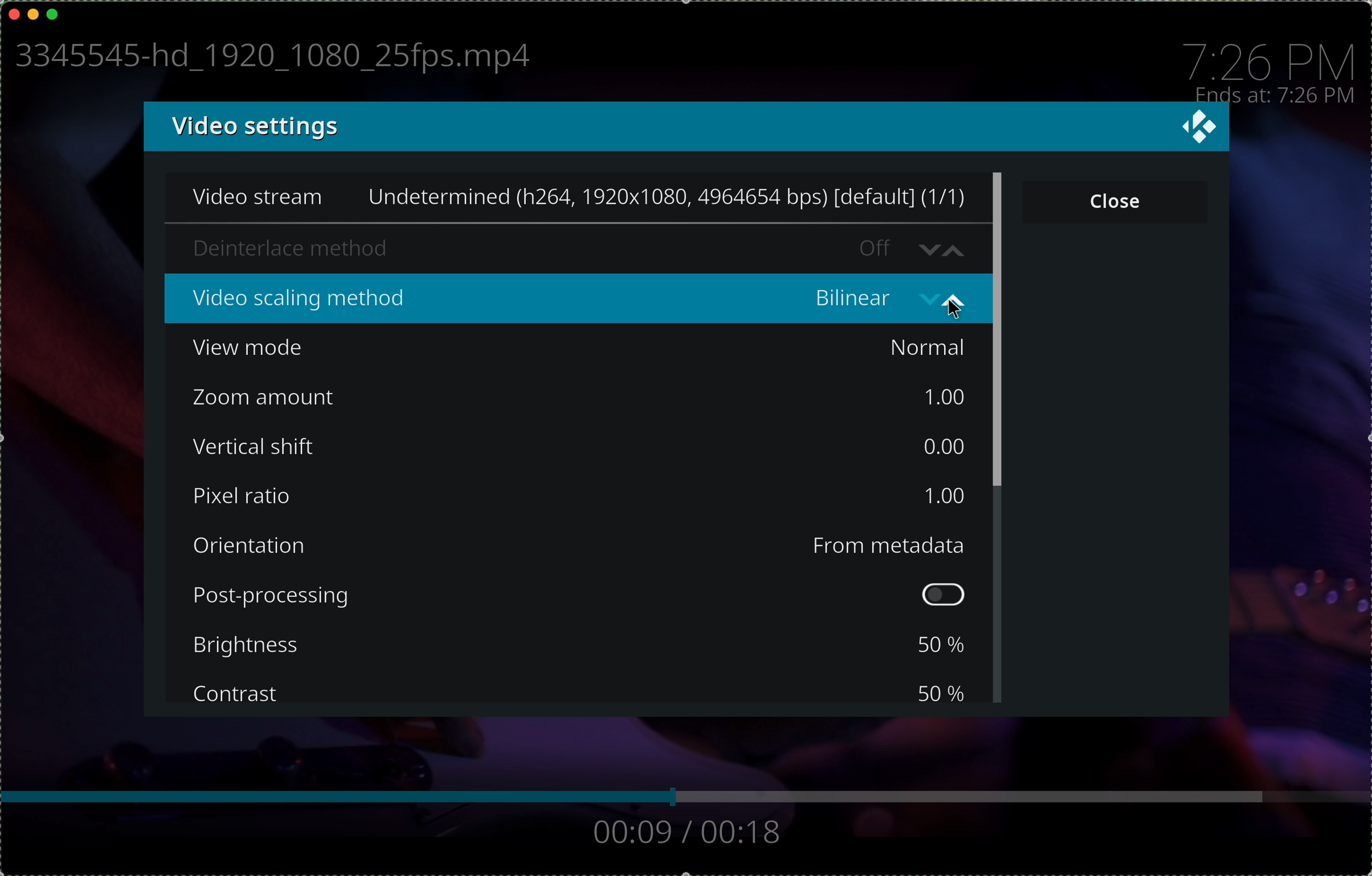  What do you see at coordinates (253, 546) in the screenshot?
I see `orientation` at bounding box center [253, 546].